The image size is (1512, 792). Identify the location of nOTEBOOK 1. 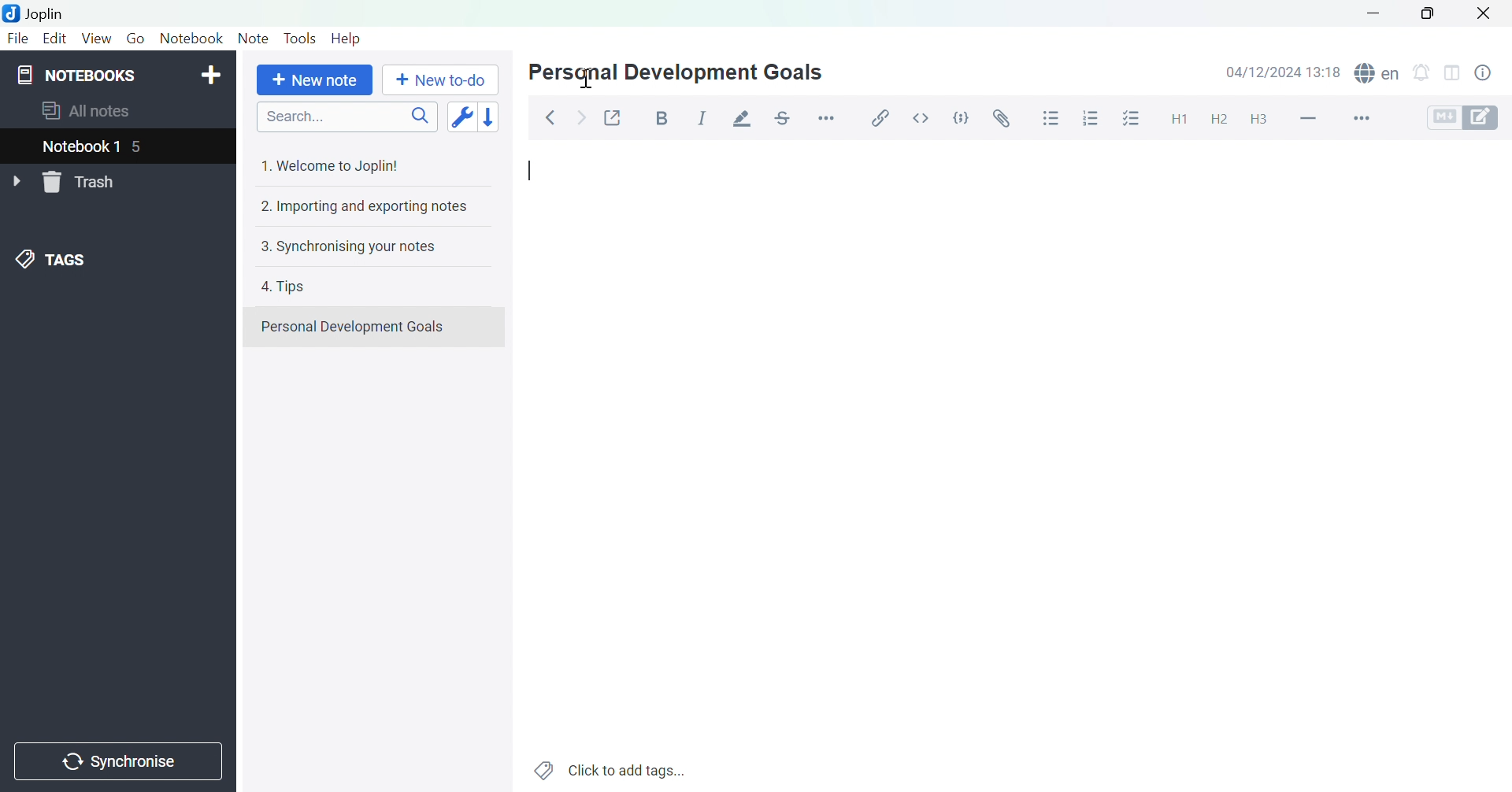
(83, 146).